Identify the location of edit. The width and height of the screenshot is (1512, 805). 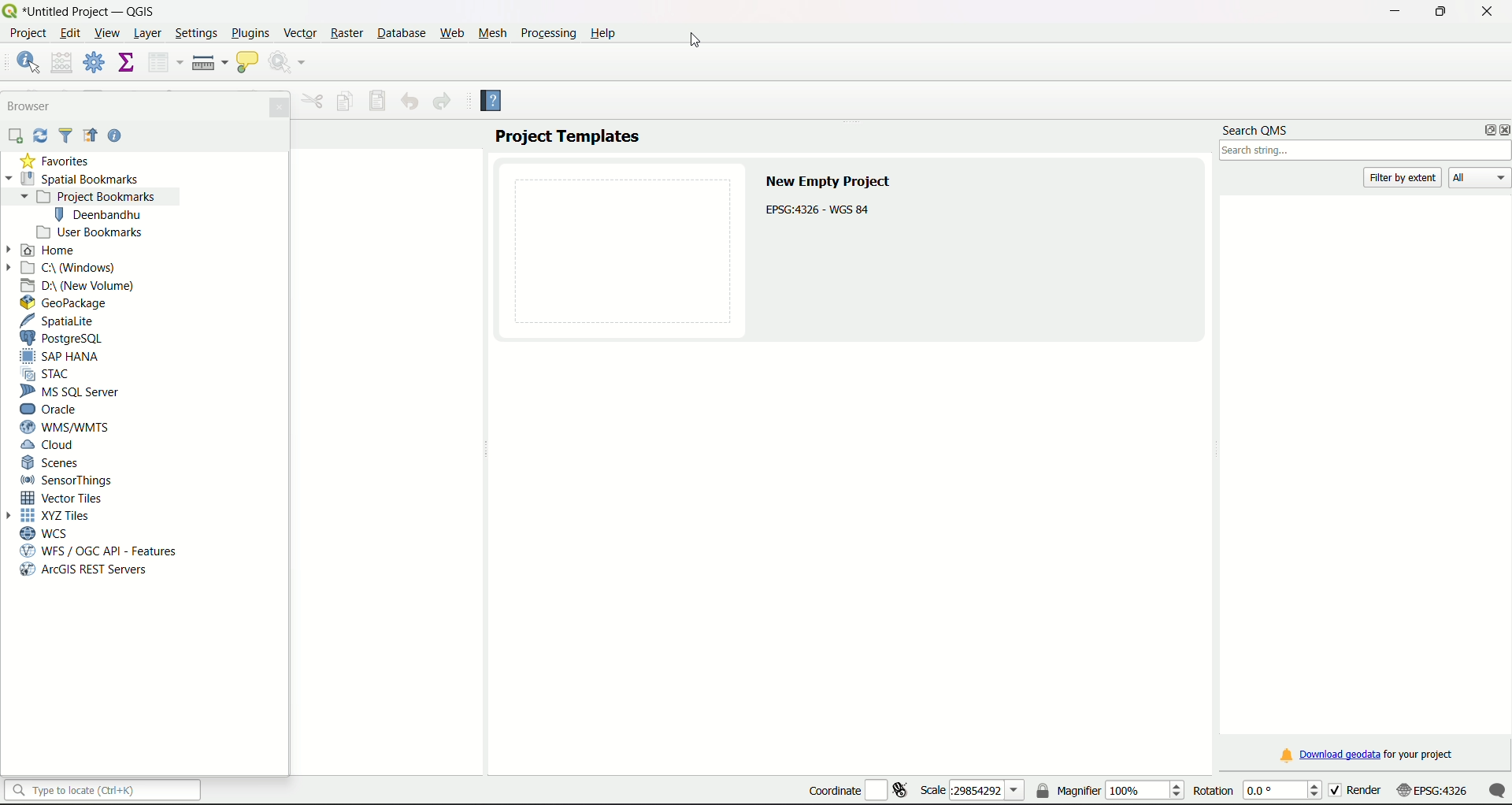
(70, 32).